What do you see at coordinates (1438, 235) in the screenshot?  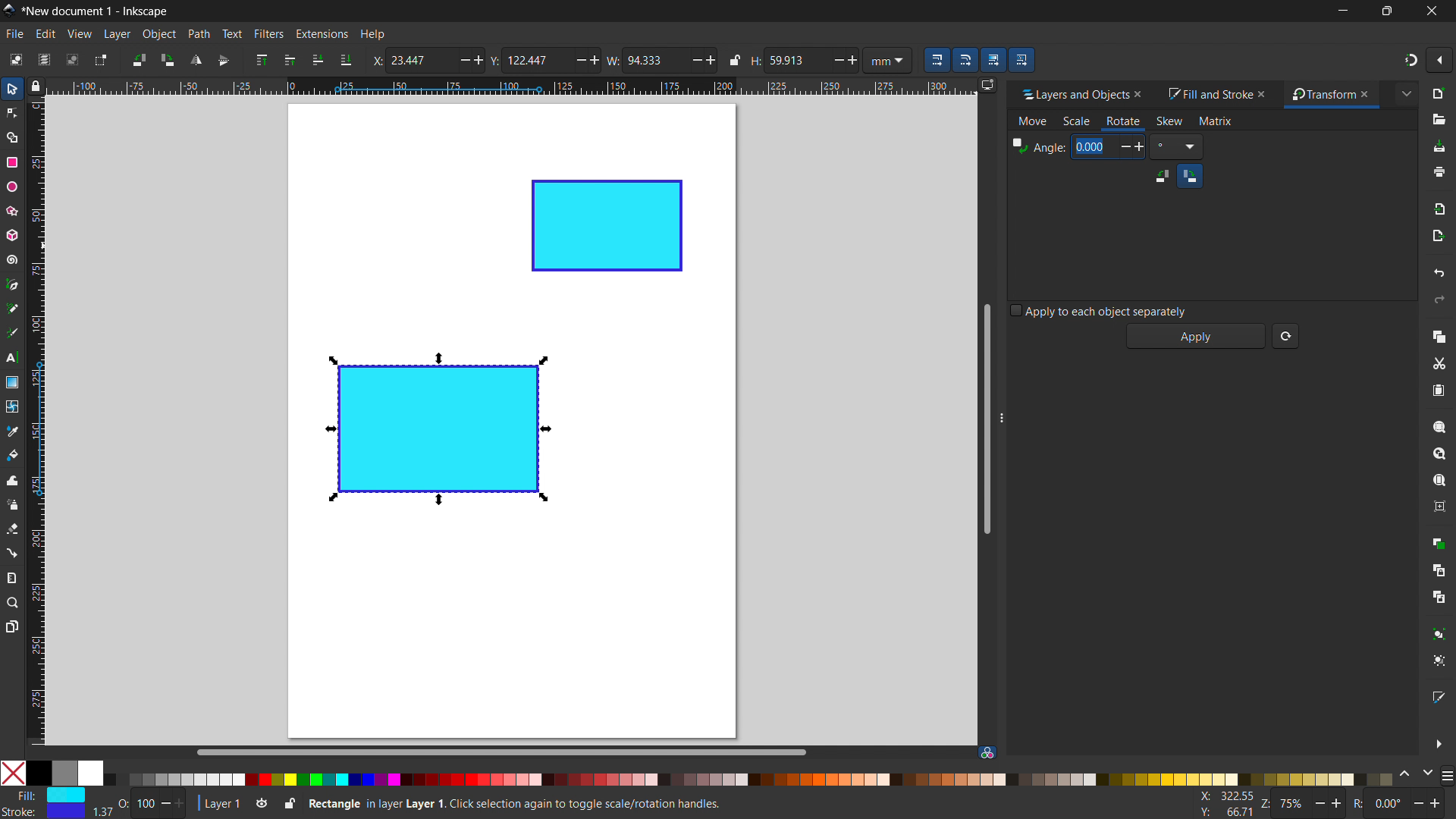 I see `open export` at bounding box center [1438, 235].